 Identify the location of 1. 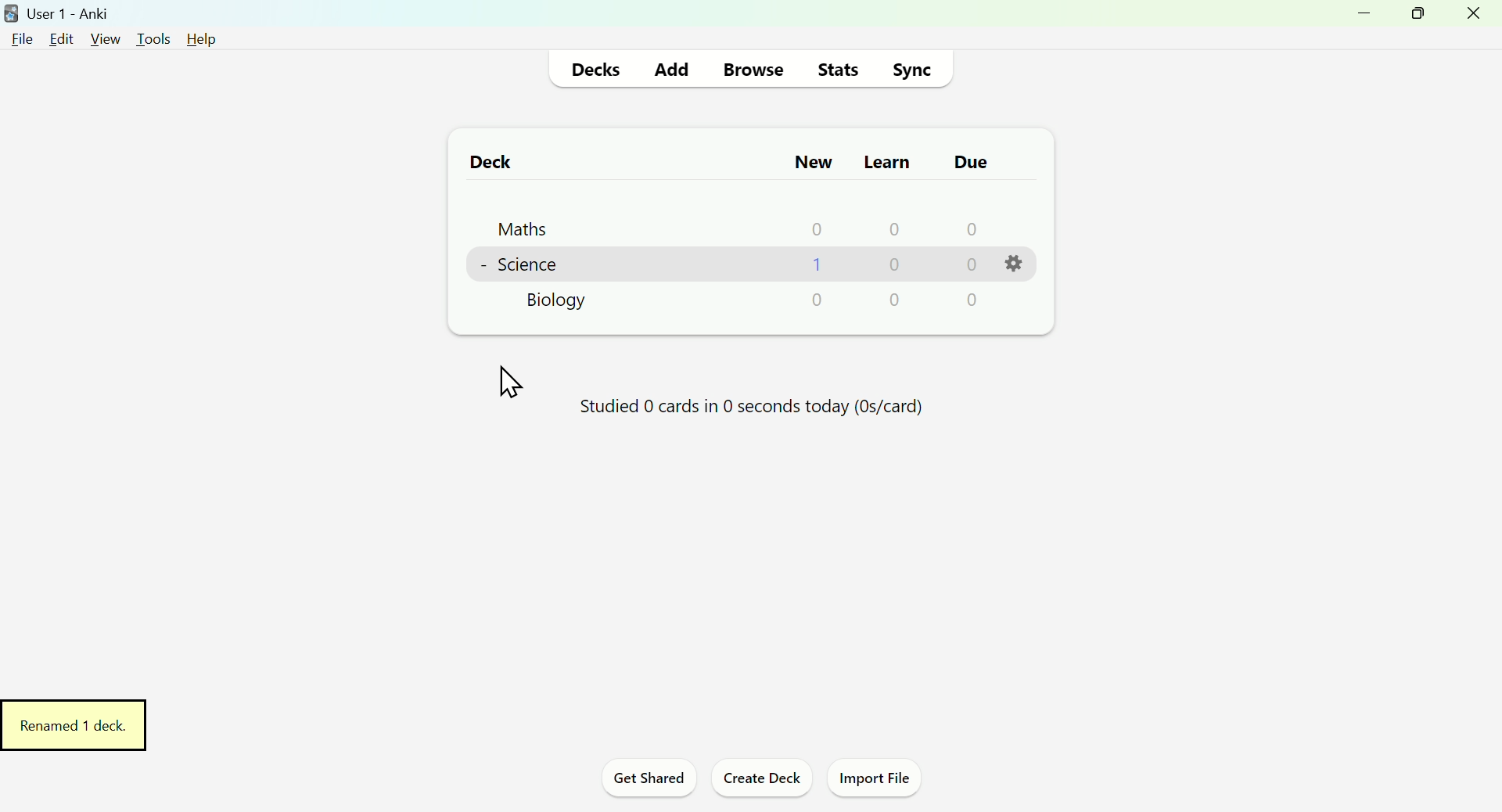
(817, 264).